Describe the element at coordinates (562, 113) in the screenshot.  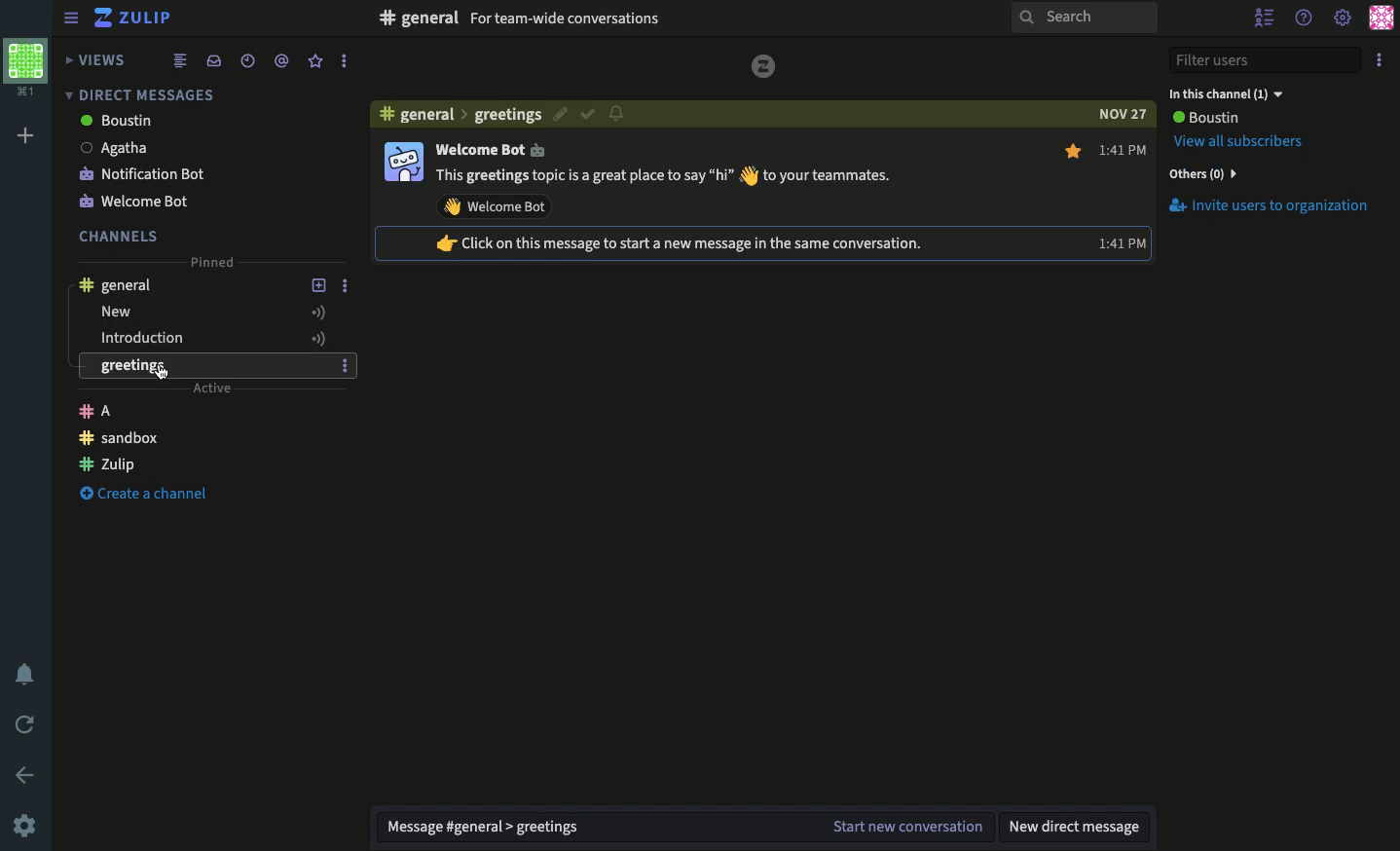
I see `Edit` at that location.